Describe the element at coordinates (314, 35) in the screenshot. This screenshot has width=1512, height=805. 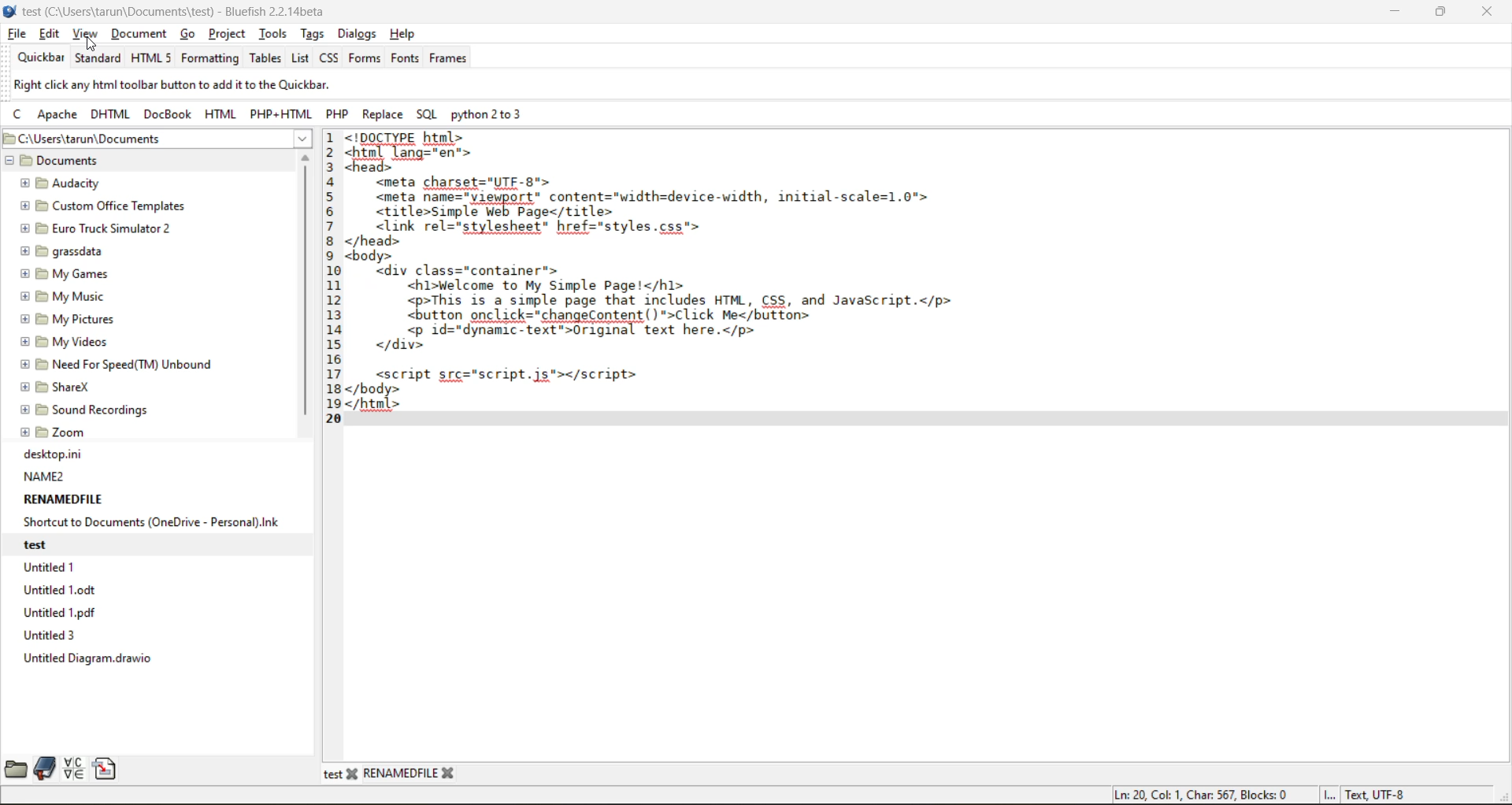
I see `tags` at that location.